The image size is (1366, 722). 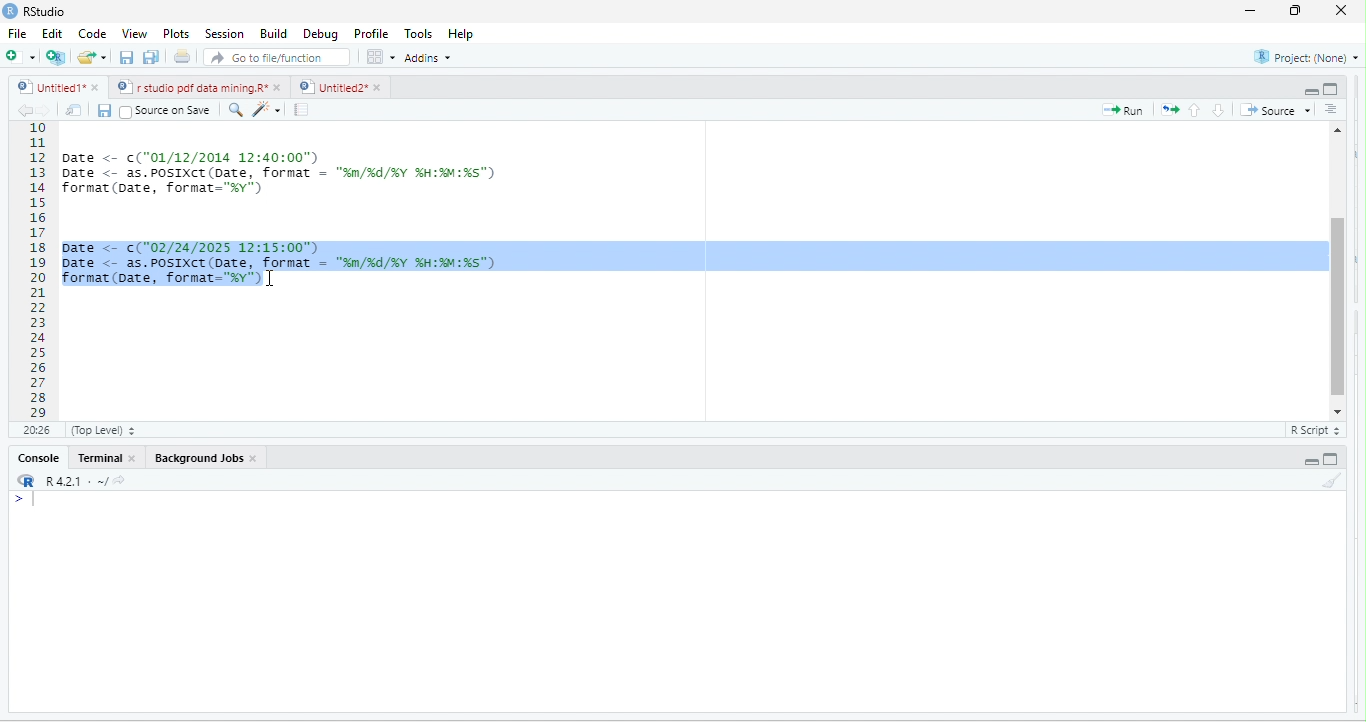 What do you see at coordinates (368, 33) in the screenshot?
I see `Profile` at bounding box center [368, 33].